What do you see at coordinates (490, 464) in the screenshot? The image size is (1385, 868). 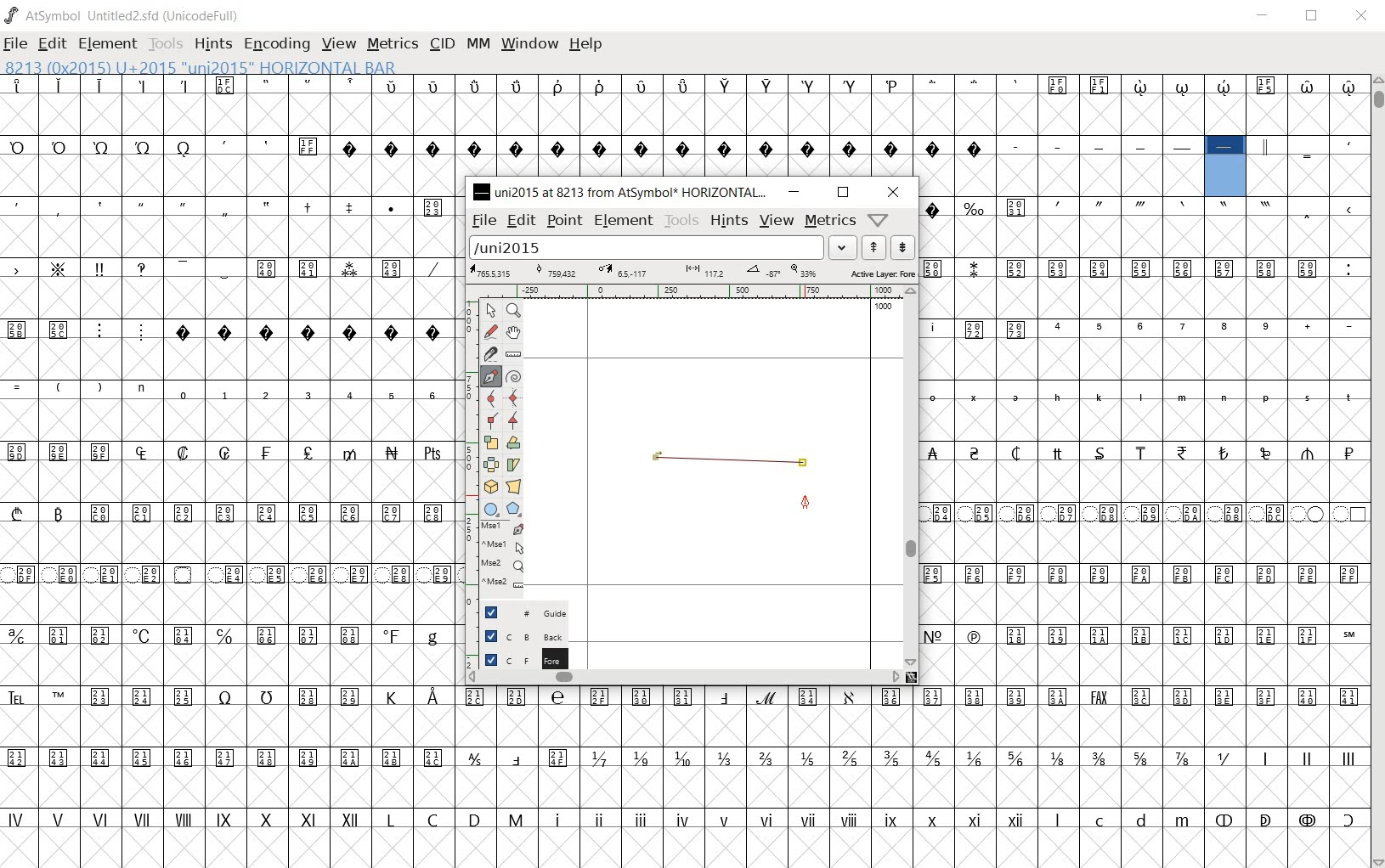 I see `flip the selection` at bounding box center [490, 464].